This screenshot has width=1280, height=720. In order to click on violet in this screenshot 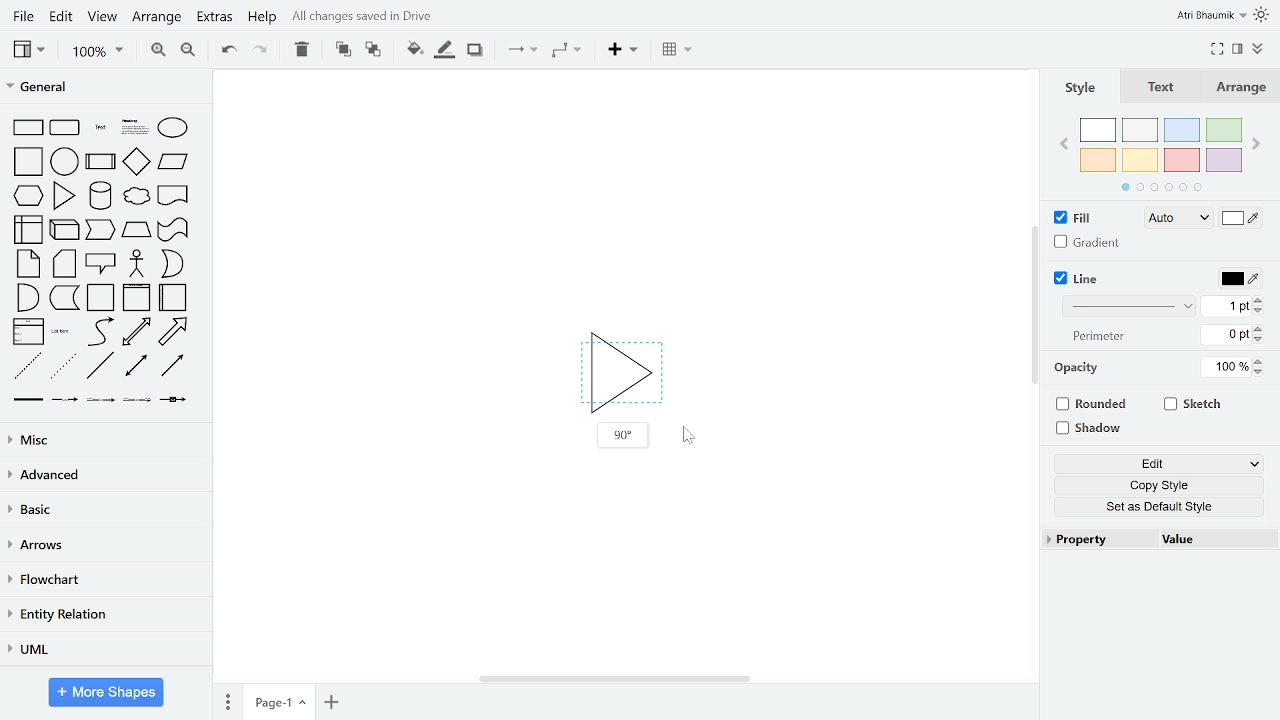, I will do `click(1225, 161)`.